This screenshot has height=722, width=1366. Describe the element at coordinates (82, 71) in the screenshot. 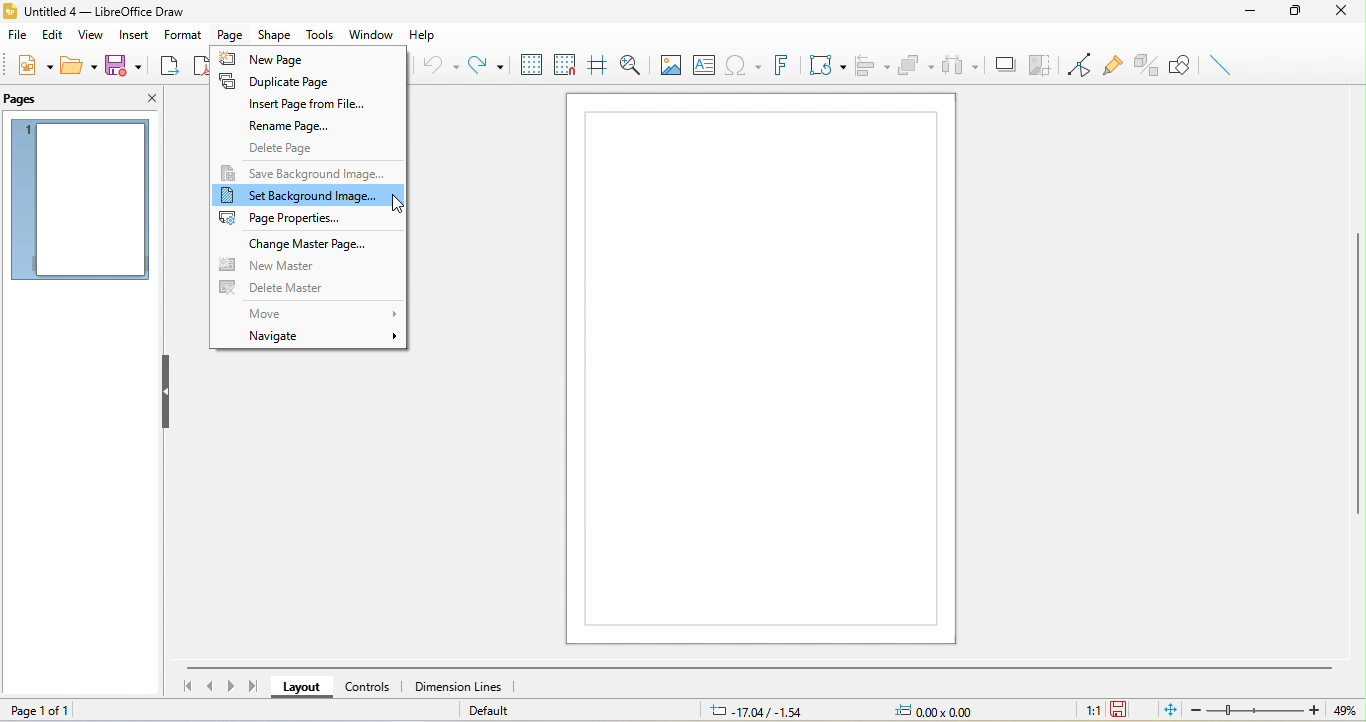

I see `open` at that location.